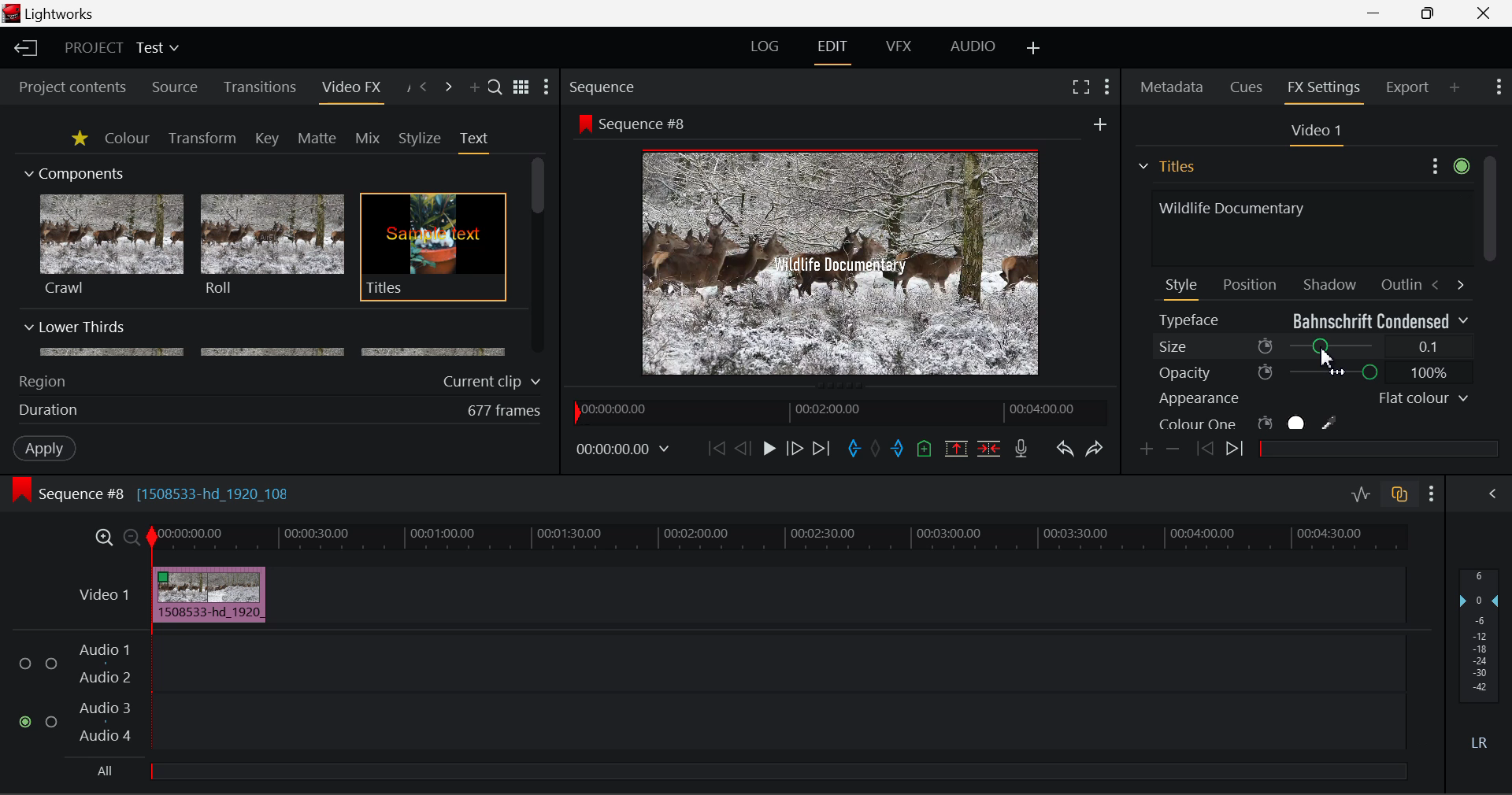  What do you see at coordinates (845, 264) in the screenshot?
I see `Sequence Preview Screen` at bounding box center [845, 264].